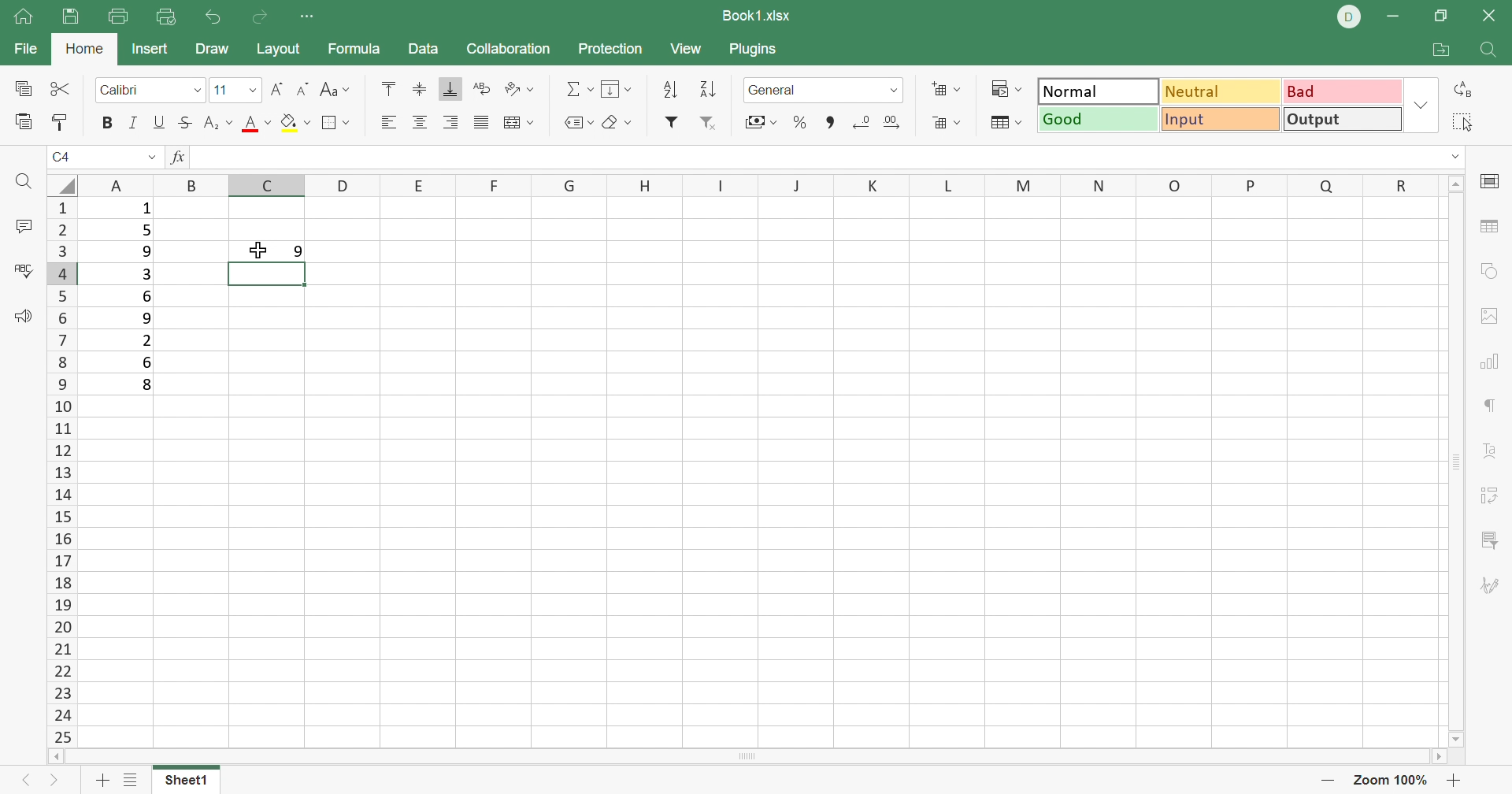 The image size is (1512, 794). Describe the element at coordinates (24, 184) in the screenshot. I see `Find` at that location.